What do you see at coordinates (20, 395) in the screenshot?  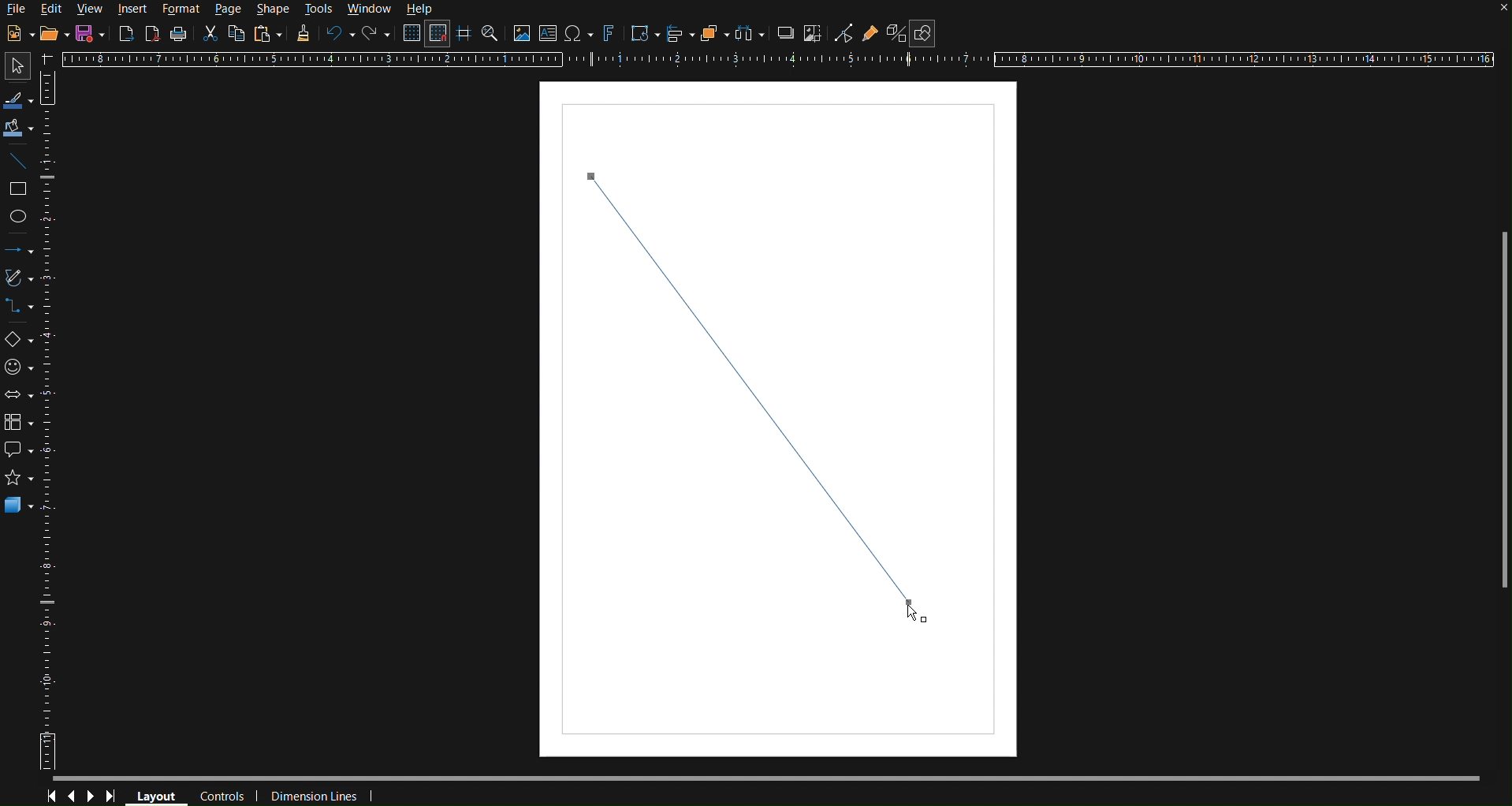 I see `Block Arrows` at bounding box center [20, 395].